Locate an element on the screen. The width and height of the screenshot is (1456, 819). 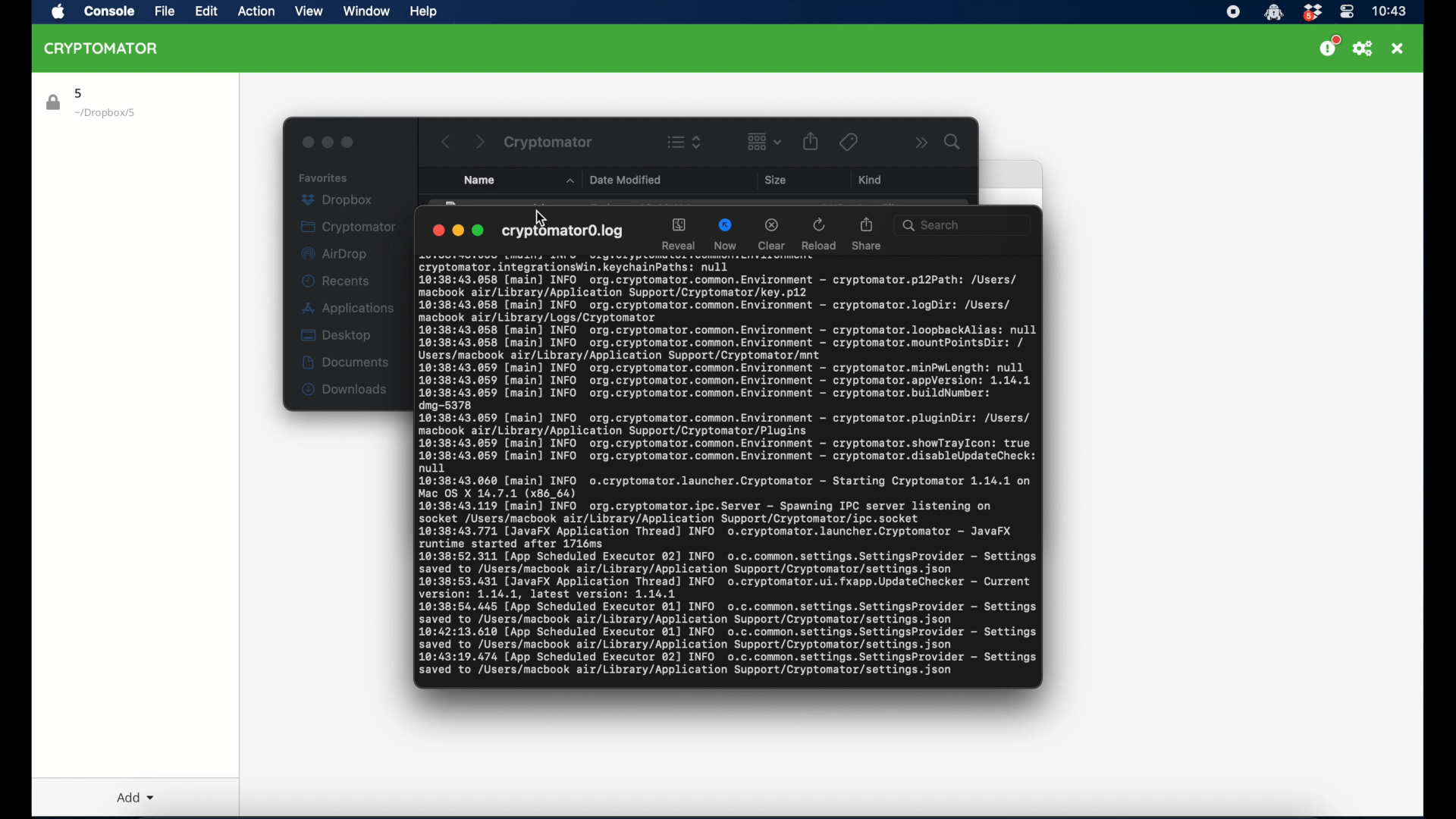
dropbox is located at coordinates (340, 199).